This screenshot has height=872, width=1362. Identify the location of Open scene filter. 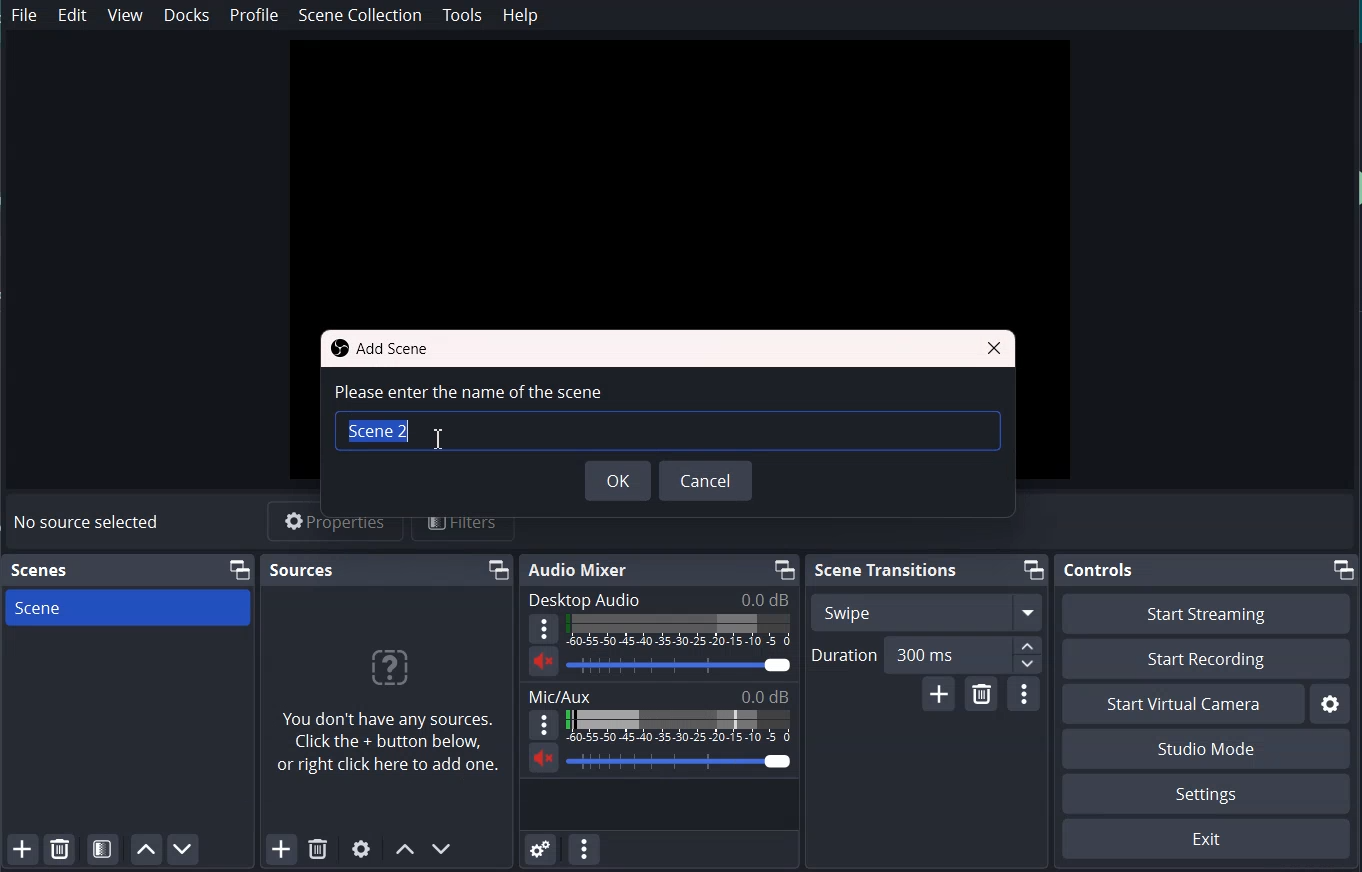
(102, 848).